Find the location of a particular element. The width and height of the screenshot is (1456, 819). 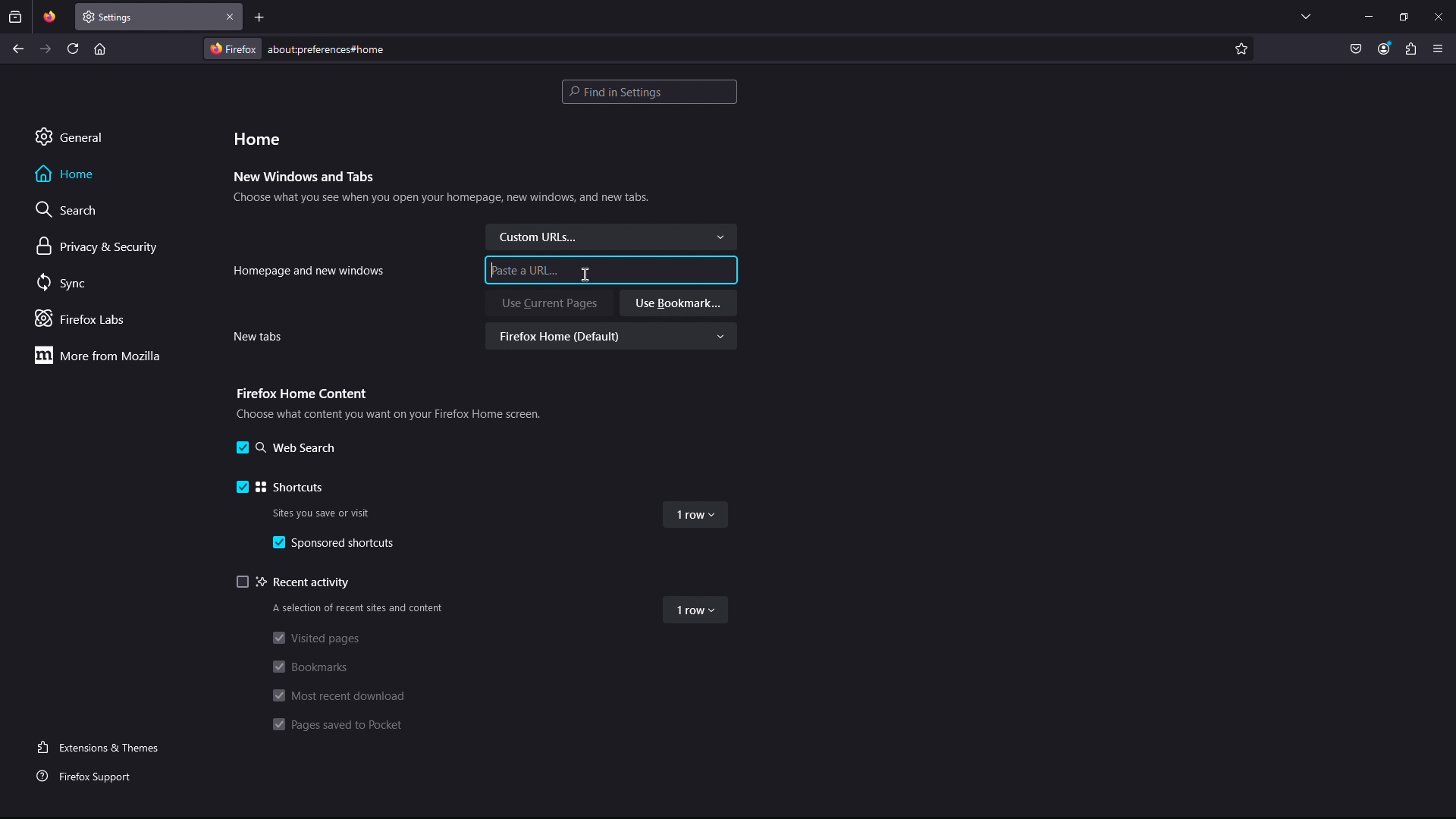

Cursor is located at coordinates (585, 274).